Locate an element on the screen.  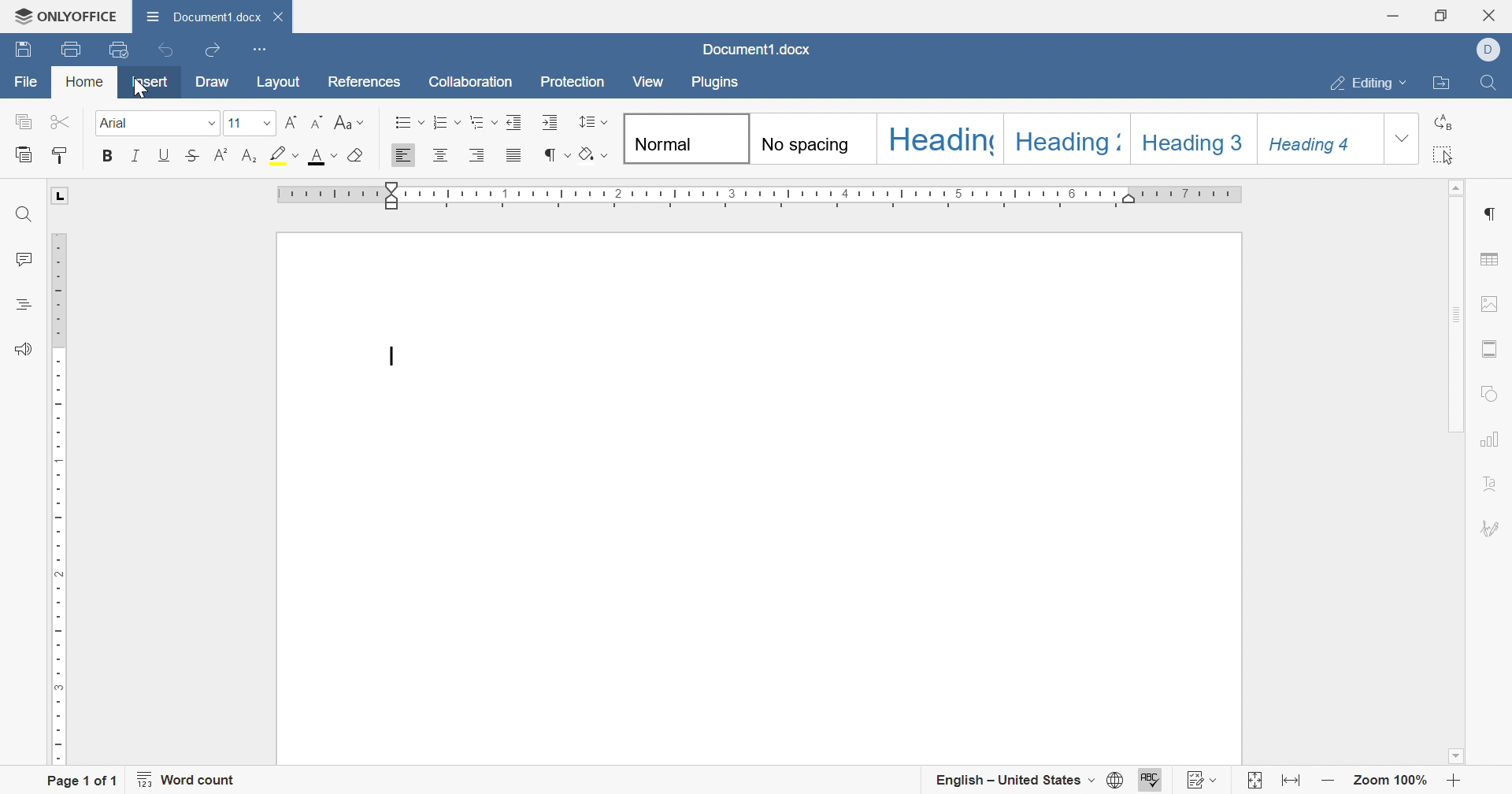
Page 1 of 1 is located at coordinates (80, 781).